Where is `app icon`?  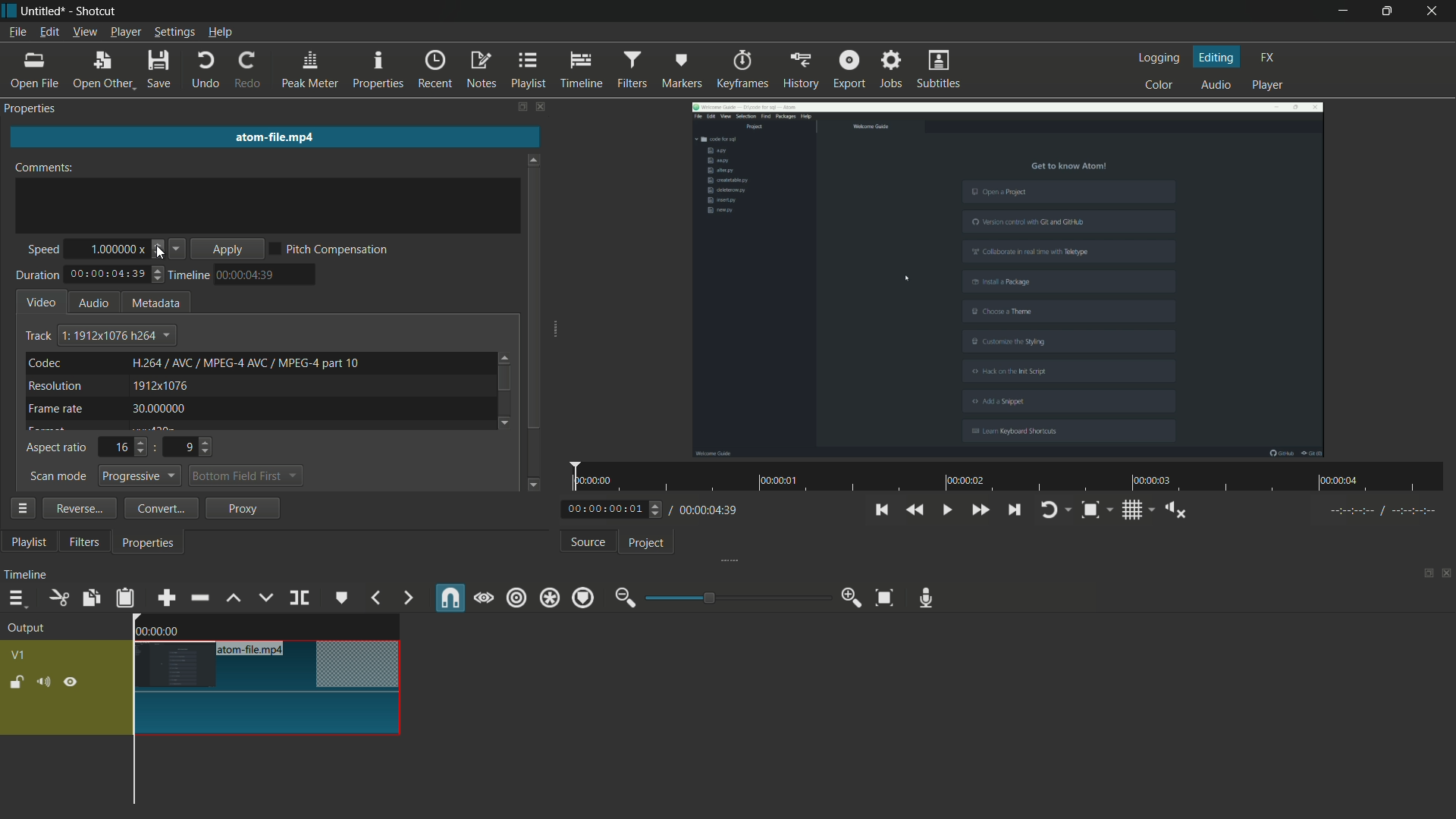 app icon is located at coordinates (9, 11).